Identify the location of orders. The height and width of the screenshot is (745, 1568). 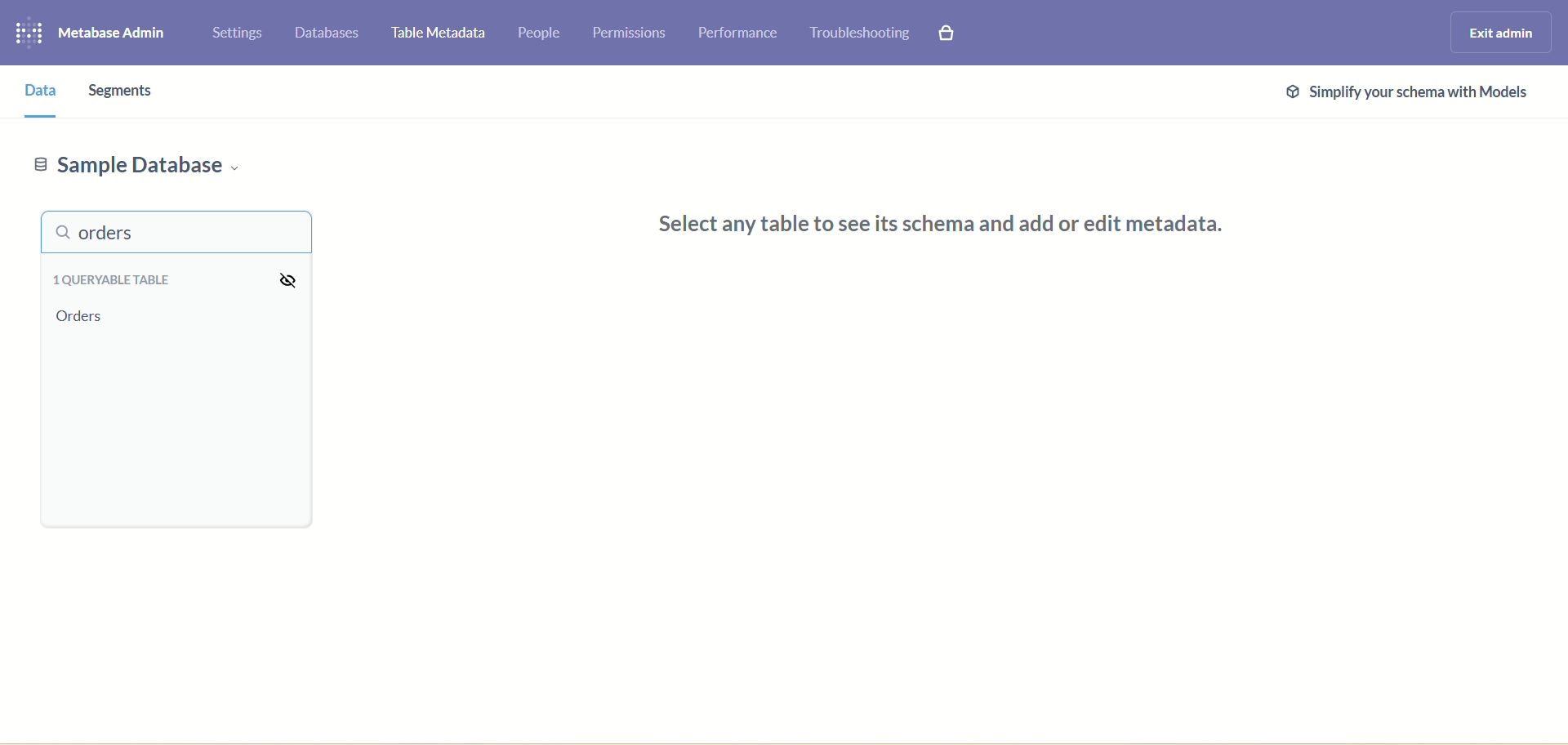
(78, 315).